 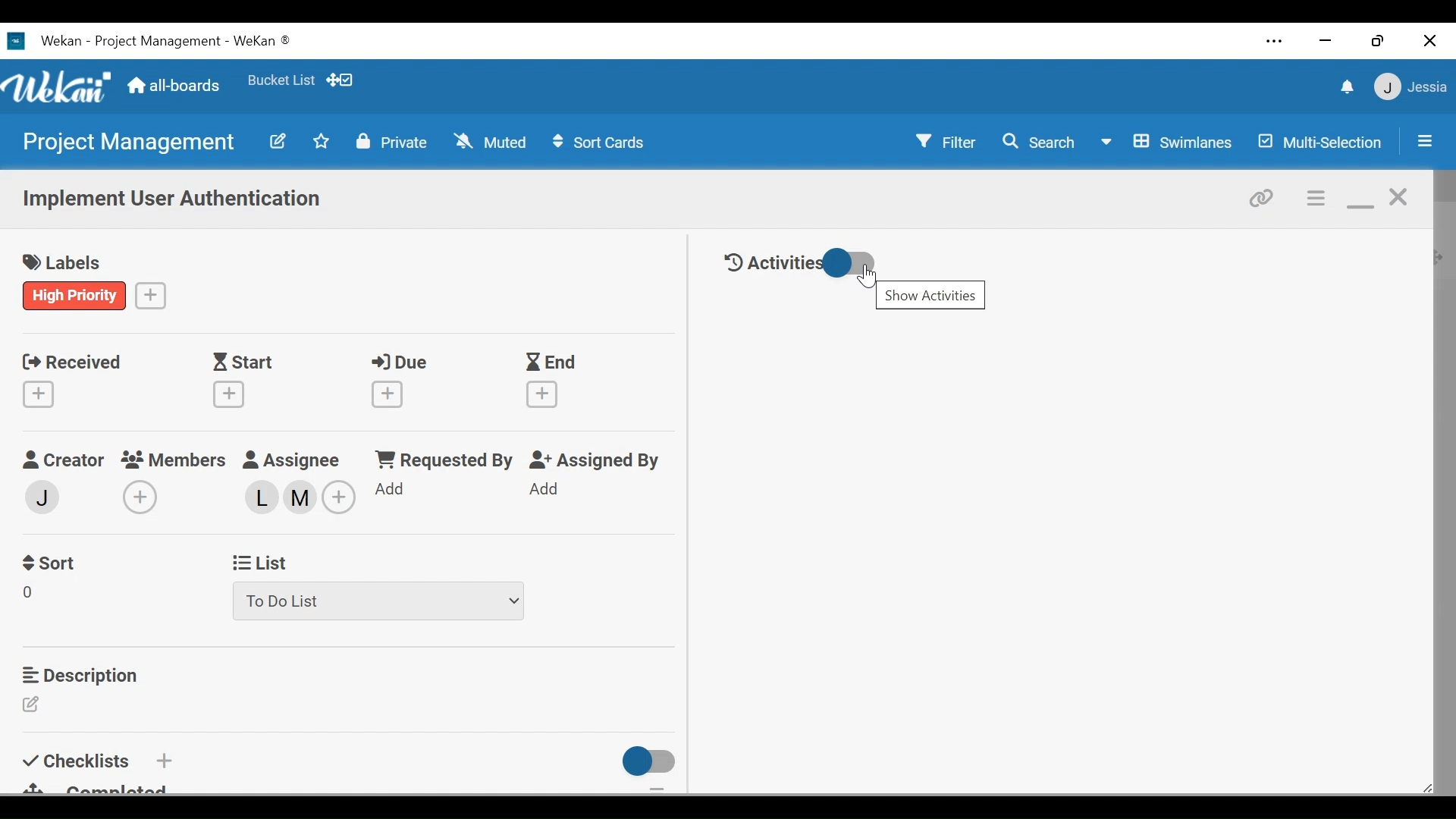 I want to click on Creator, so click(x=64, y=457).